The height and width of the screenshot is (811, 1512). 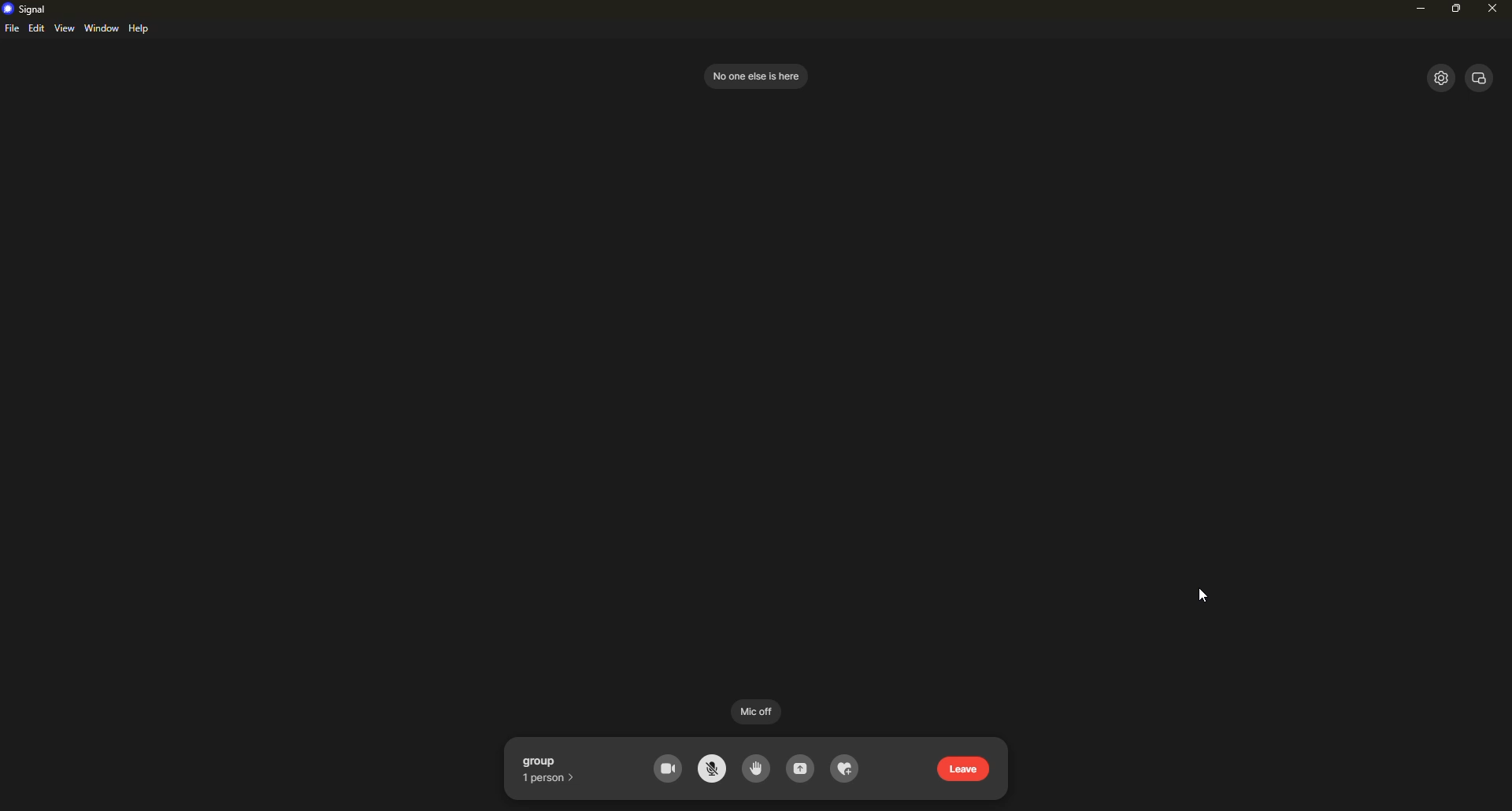 What do you see at coordinates (966, 768) in the screenshot?
I see `leave` at bounding box center [966, 768].